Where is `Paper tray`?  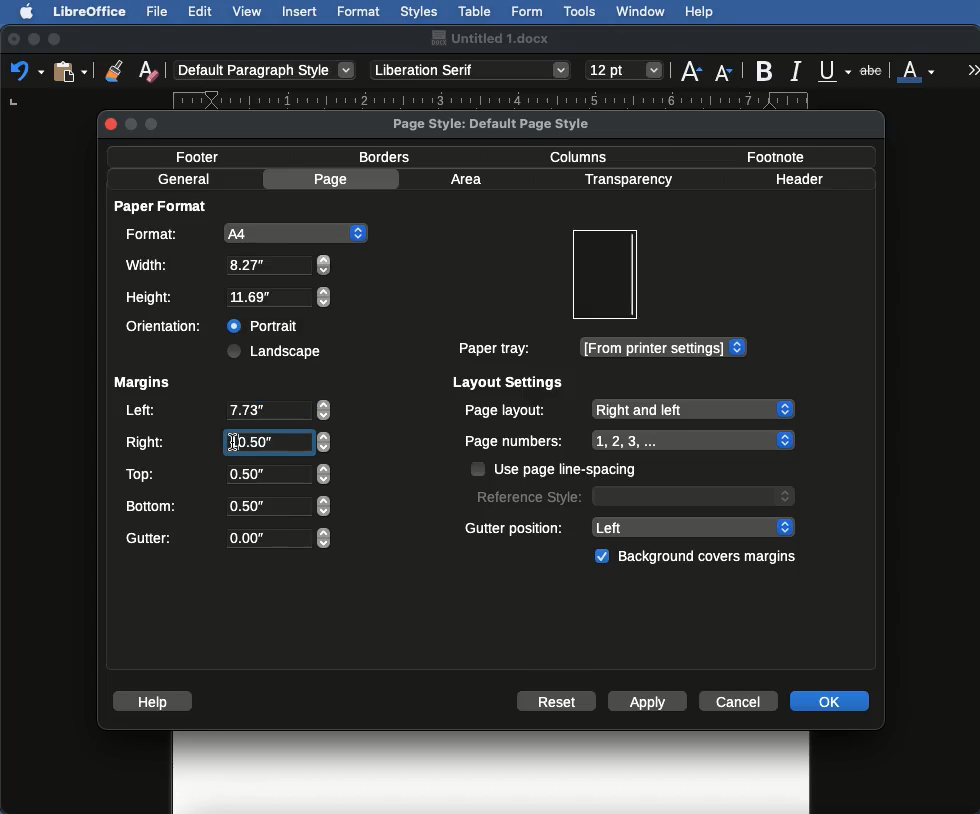
Paper tray is located at coordinates (601, 348).